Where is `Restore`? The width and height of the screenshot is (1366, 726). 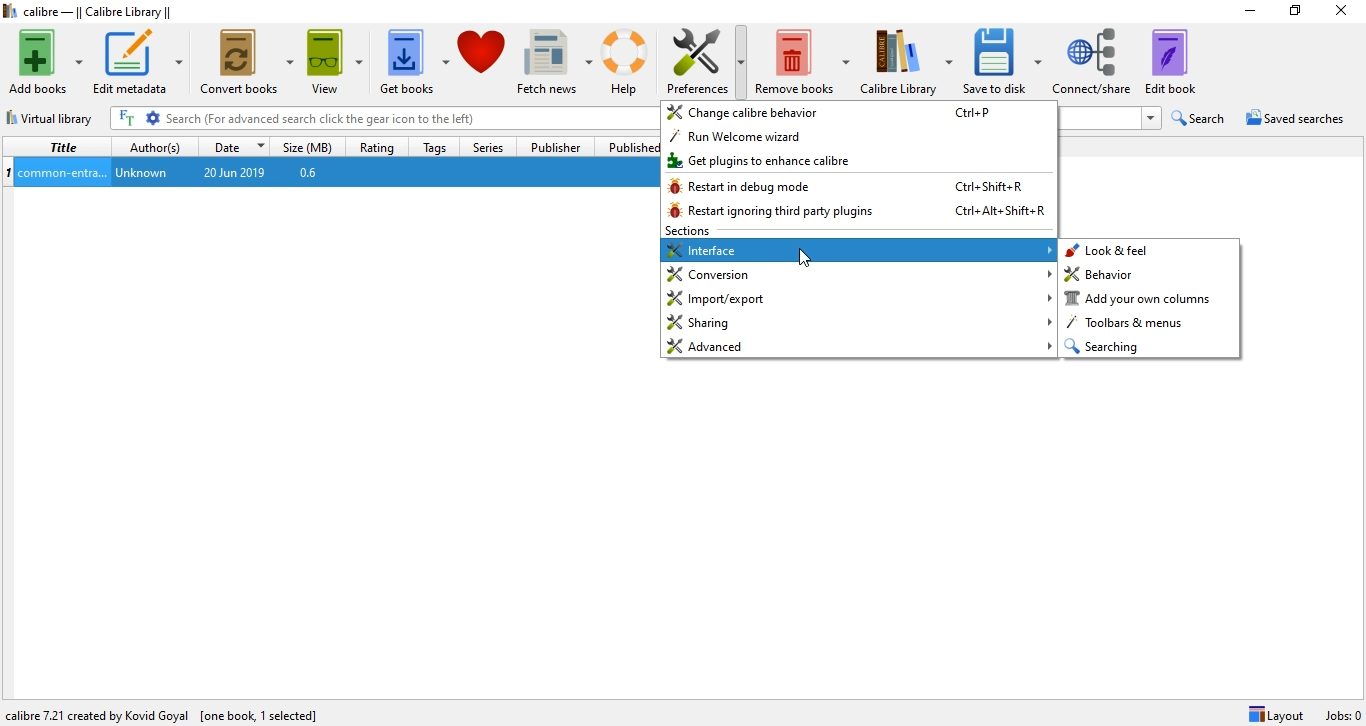
Restore is located at coordinates (1295, 14).